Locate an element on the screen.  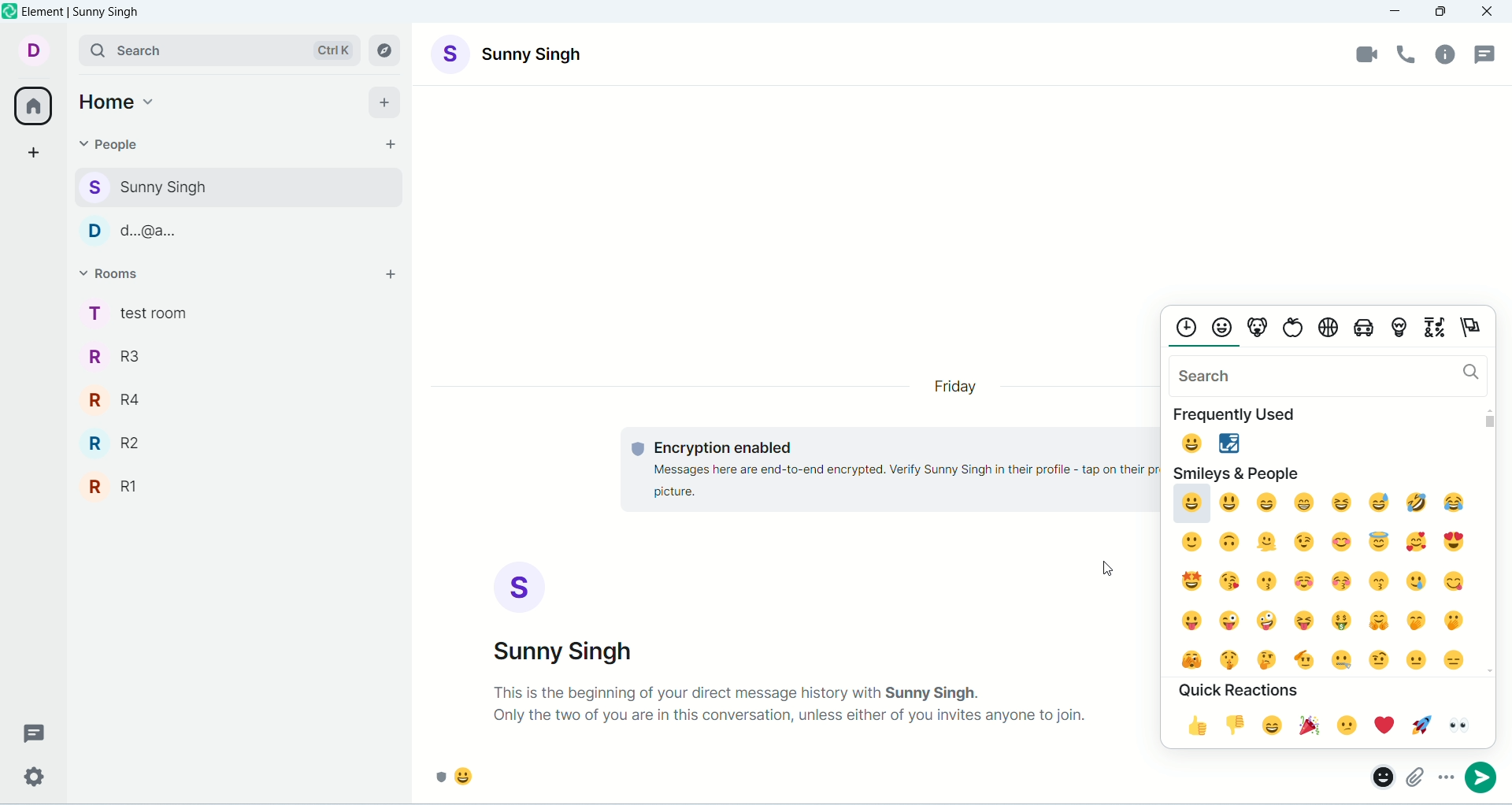
room info is located at coordinates (1445, 58).